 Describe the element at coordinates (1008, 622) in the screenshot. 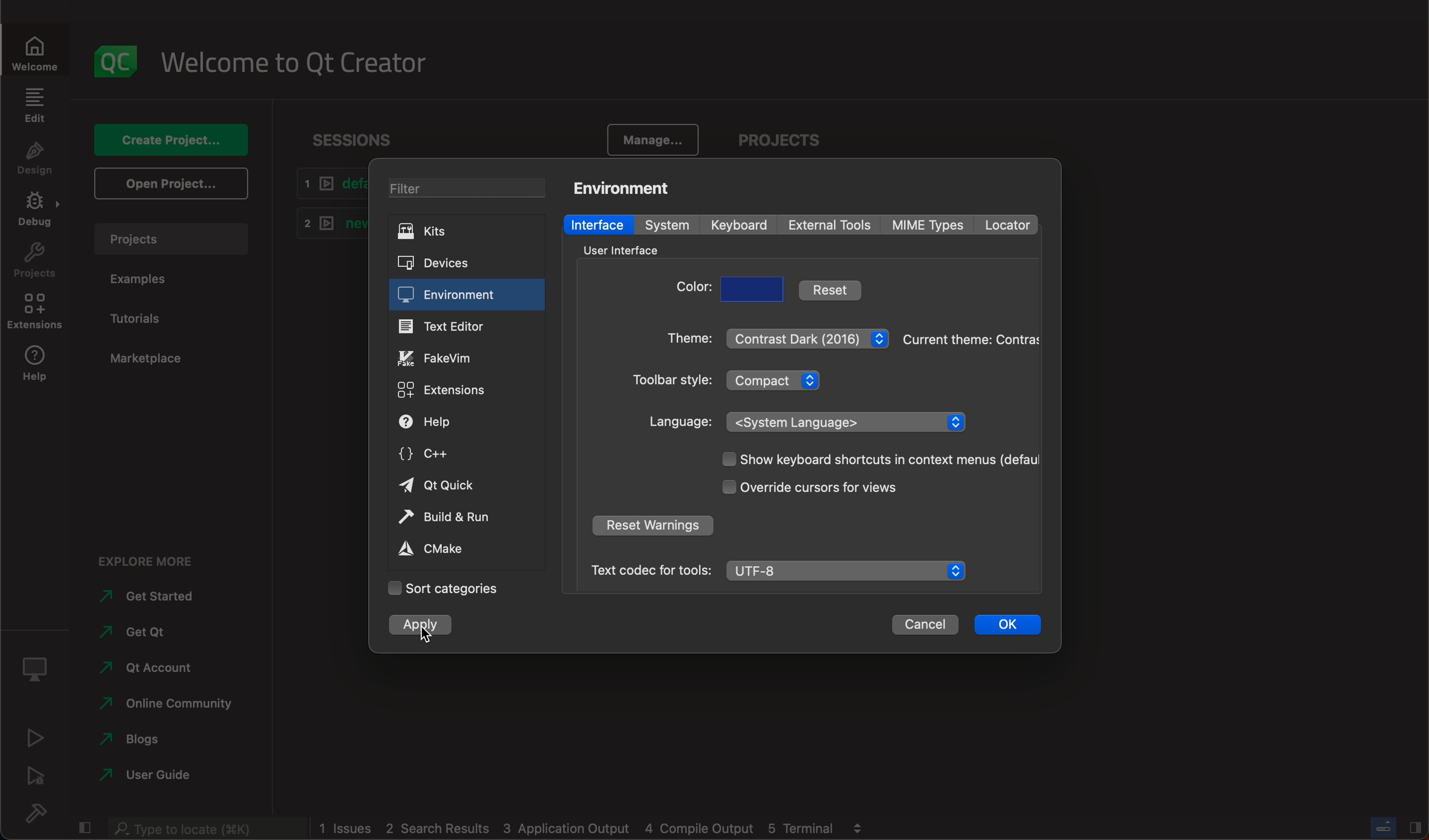

I see `ok` at that location.